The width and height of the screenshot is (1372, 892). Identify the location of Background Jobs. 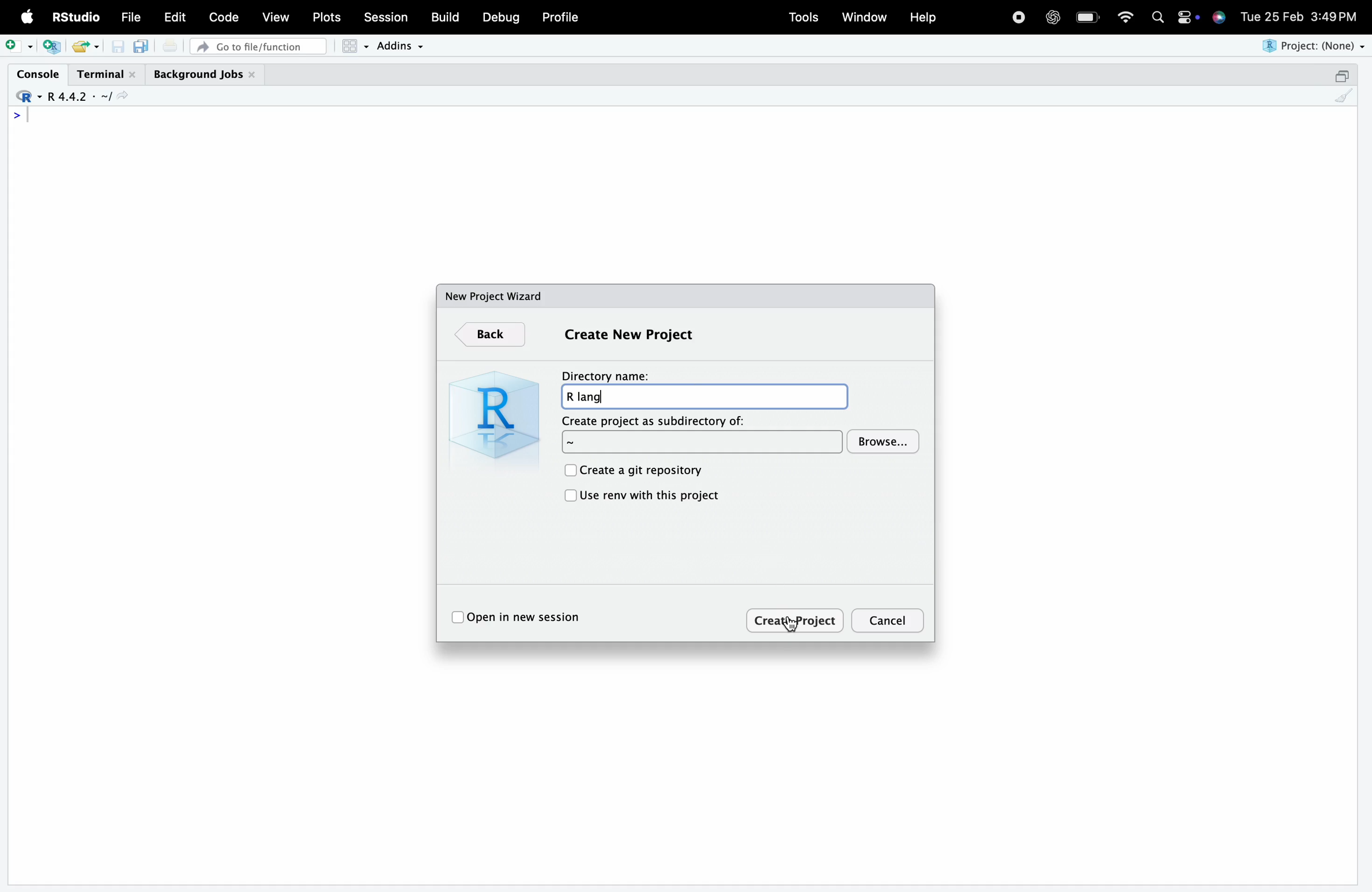
(205, 75).